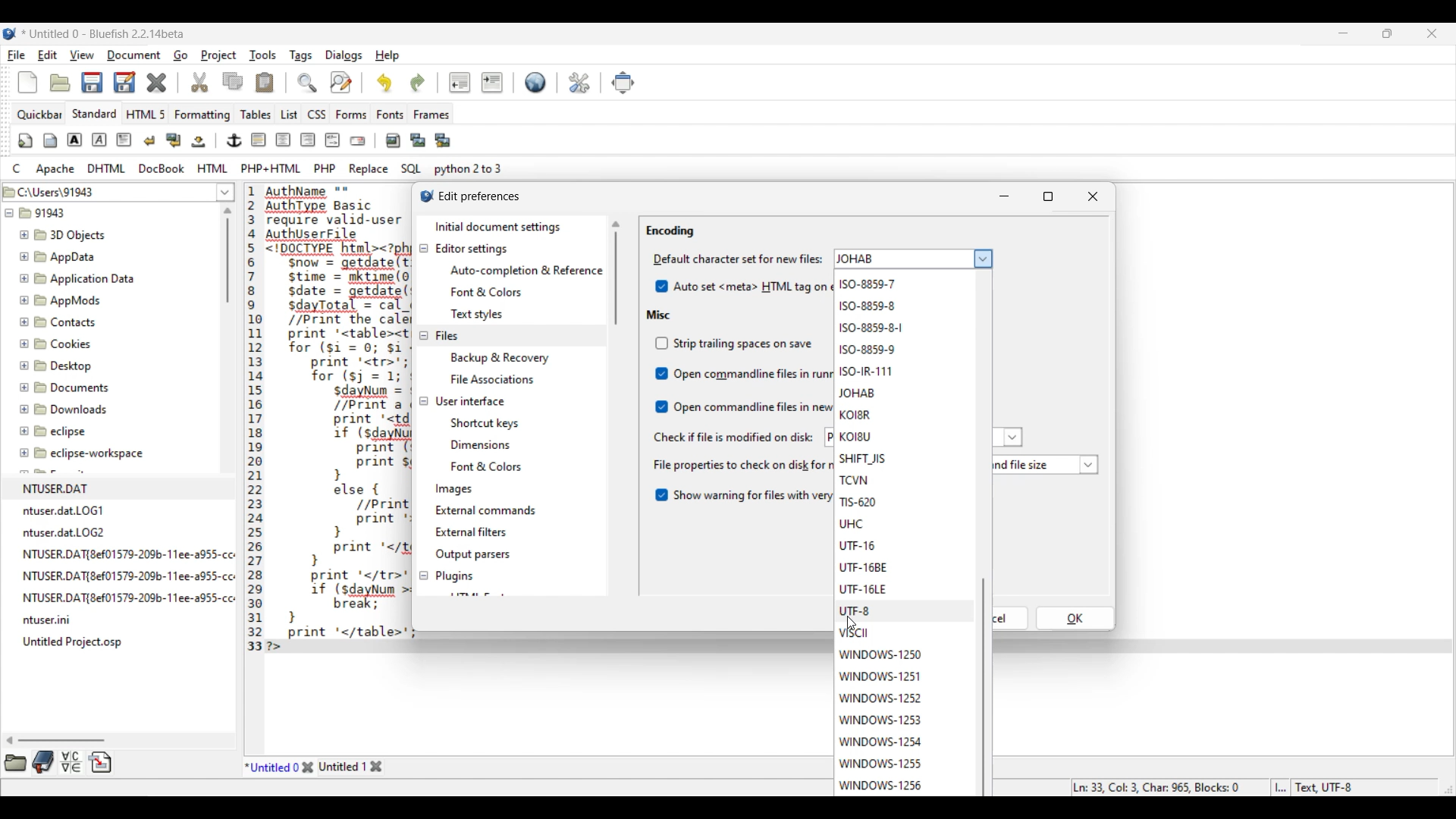  Describe the element at coordinates (48, 55) in the screenshot. I see `Edit menu` at that location.